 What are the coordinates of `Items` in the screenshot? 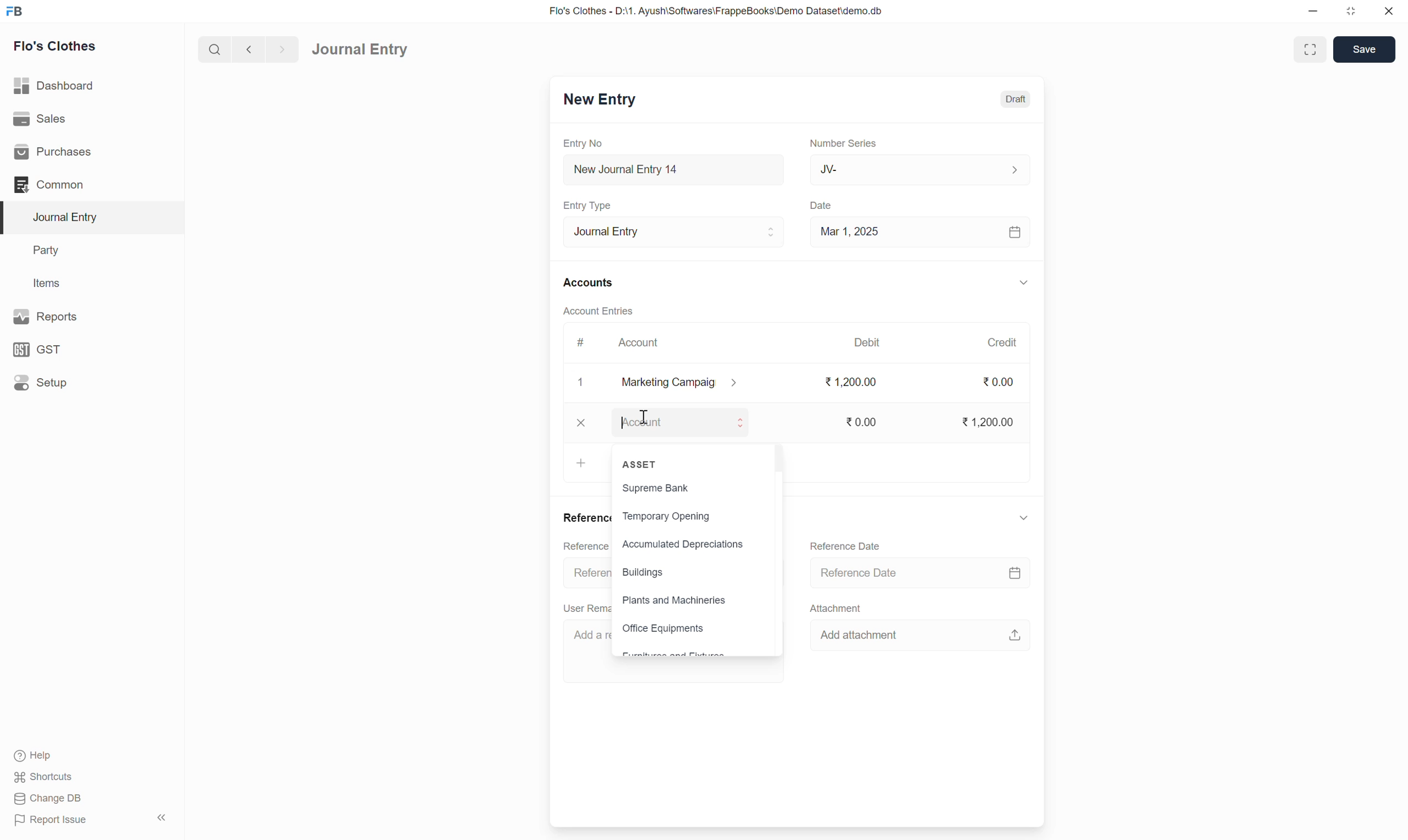 It's located at (46, 282).